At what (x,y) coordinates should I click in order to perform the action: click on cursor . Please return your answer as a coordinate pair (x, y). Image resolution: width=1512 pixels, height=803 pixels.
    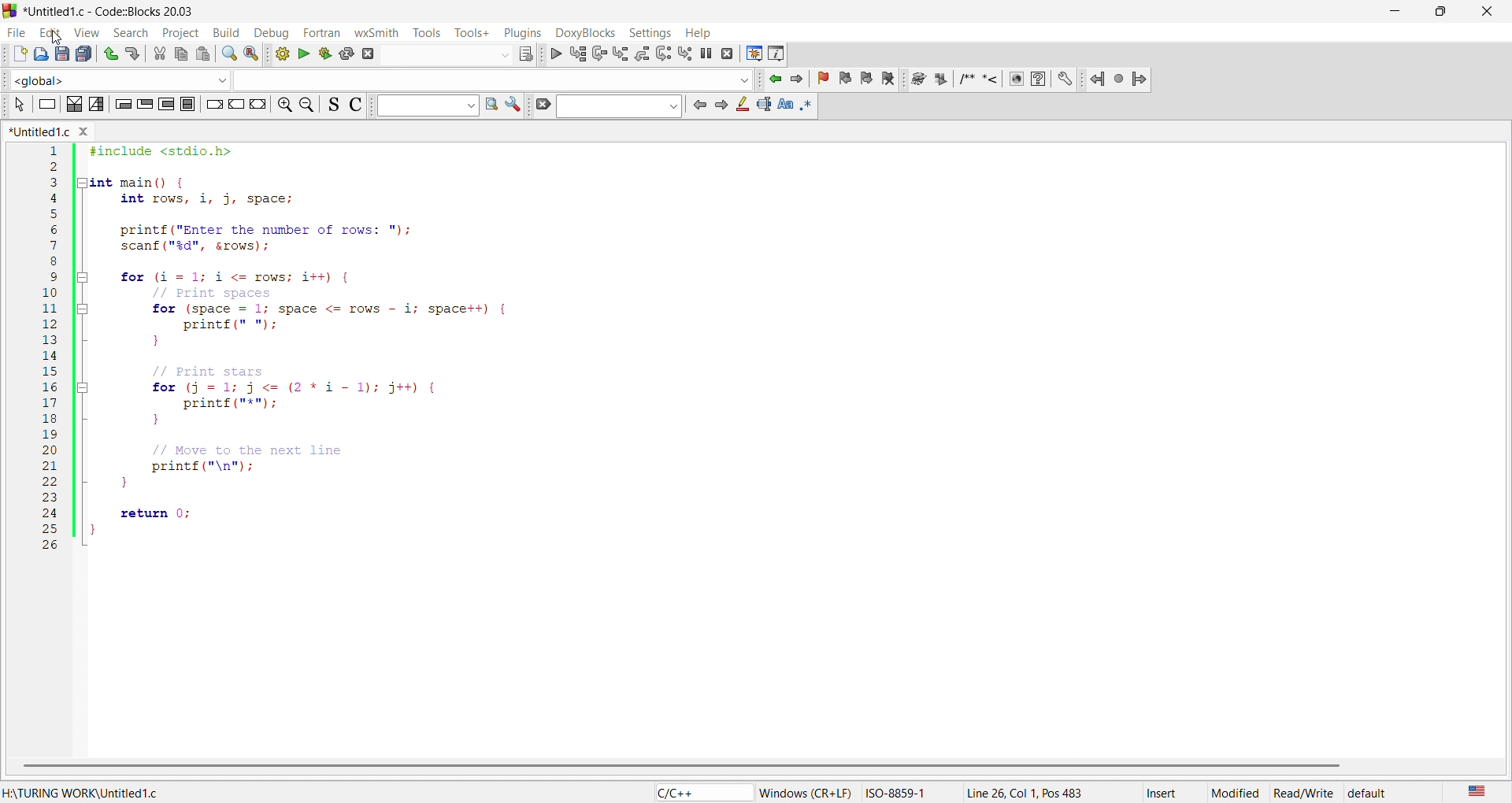
    Looking at the image, I should click on (60, 36).